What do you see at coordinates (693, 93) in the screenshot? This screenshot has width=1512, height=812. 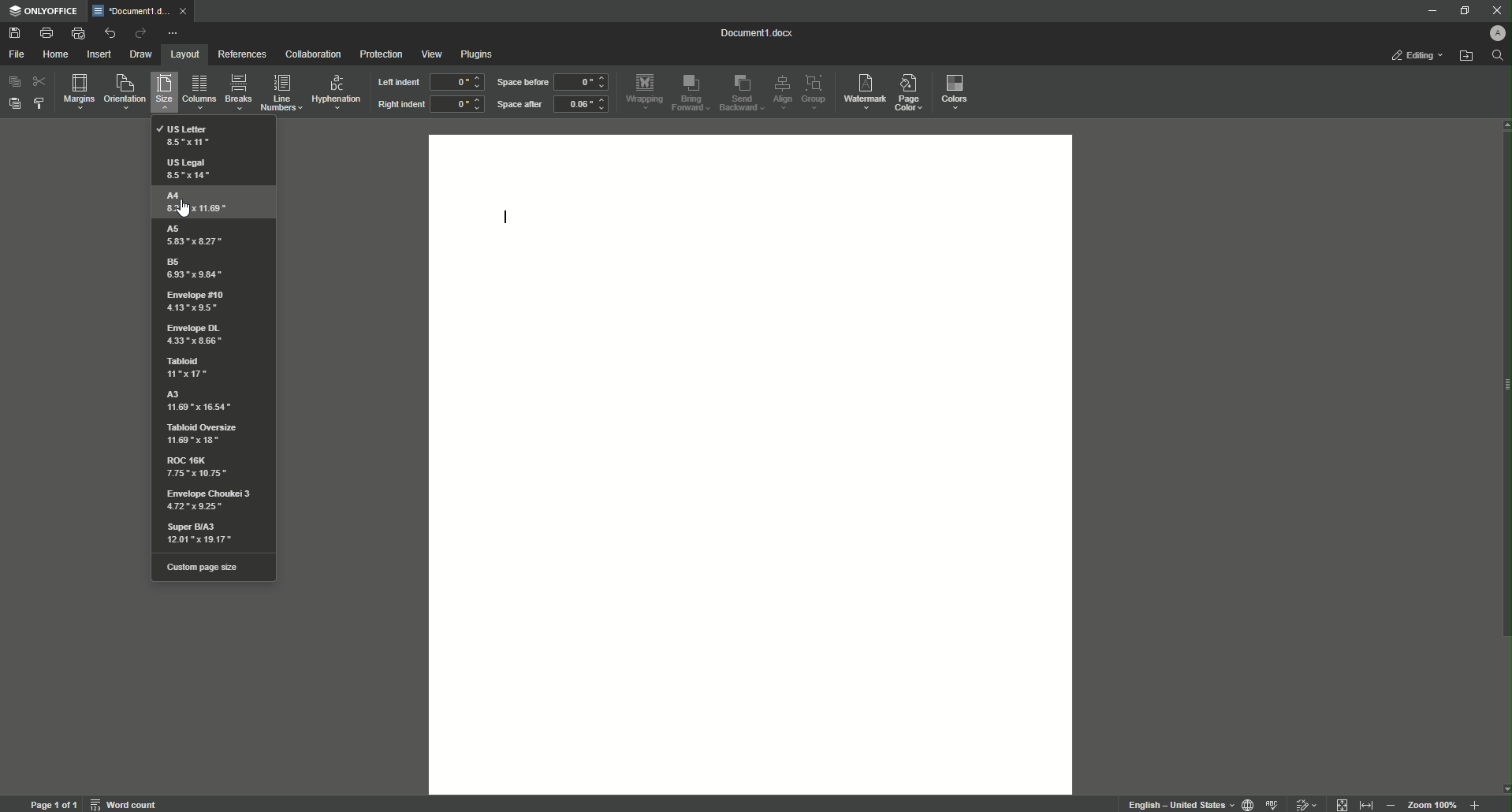 I see `Bring Forward` at bounding box center [693, 93].